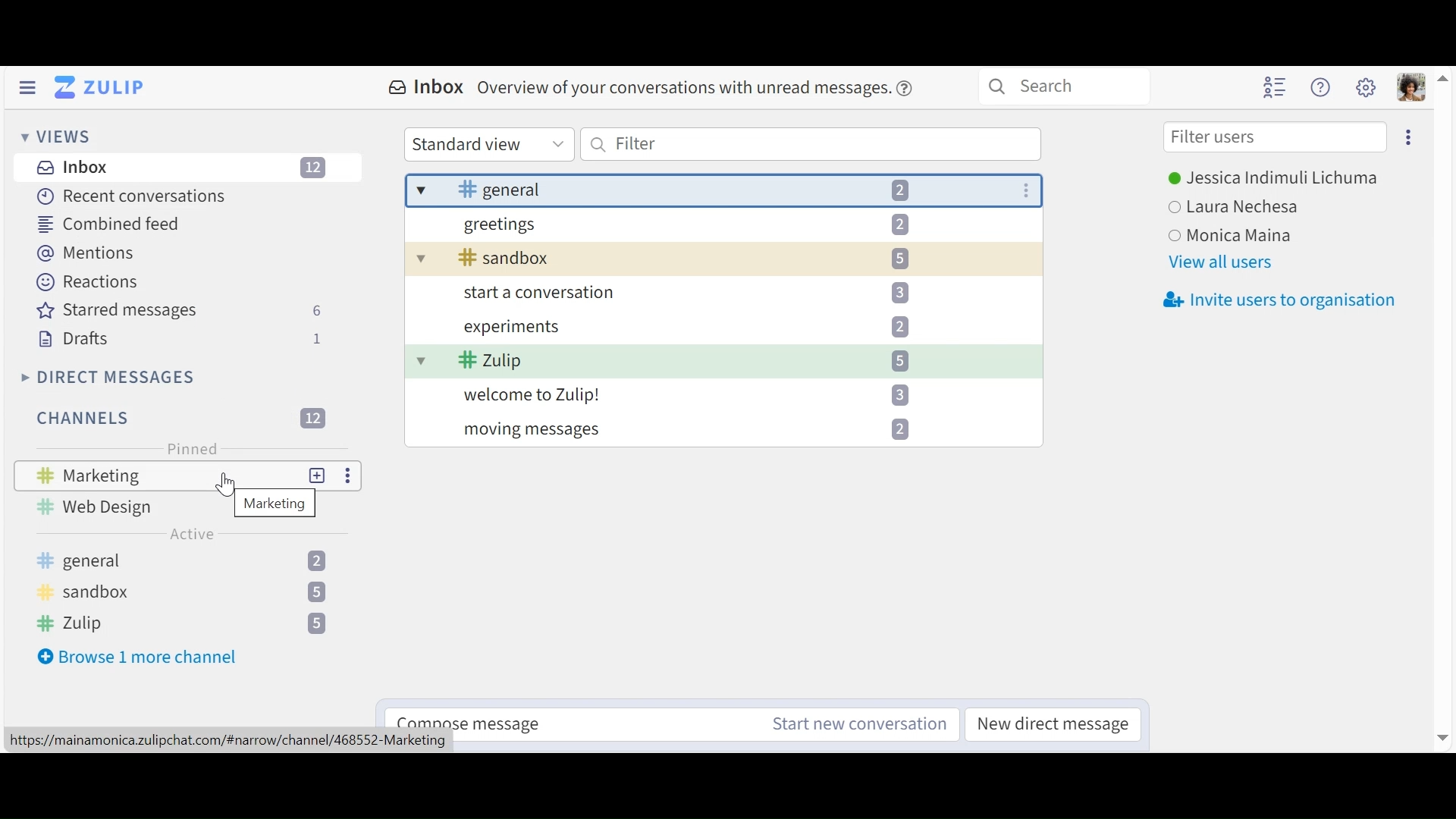 This screenshot has height=819, width=1456. Describe the element at coordinates (87, 281) in the screenshot. I see `Reaction` at that location.